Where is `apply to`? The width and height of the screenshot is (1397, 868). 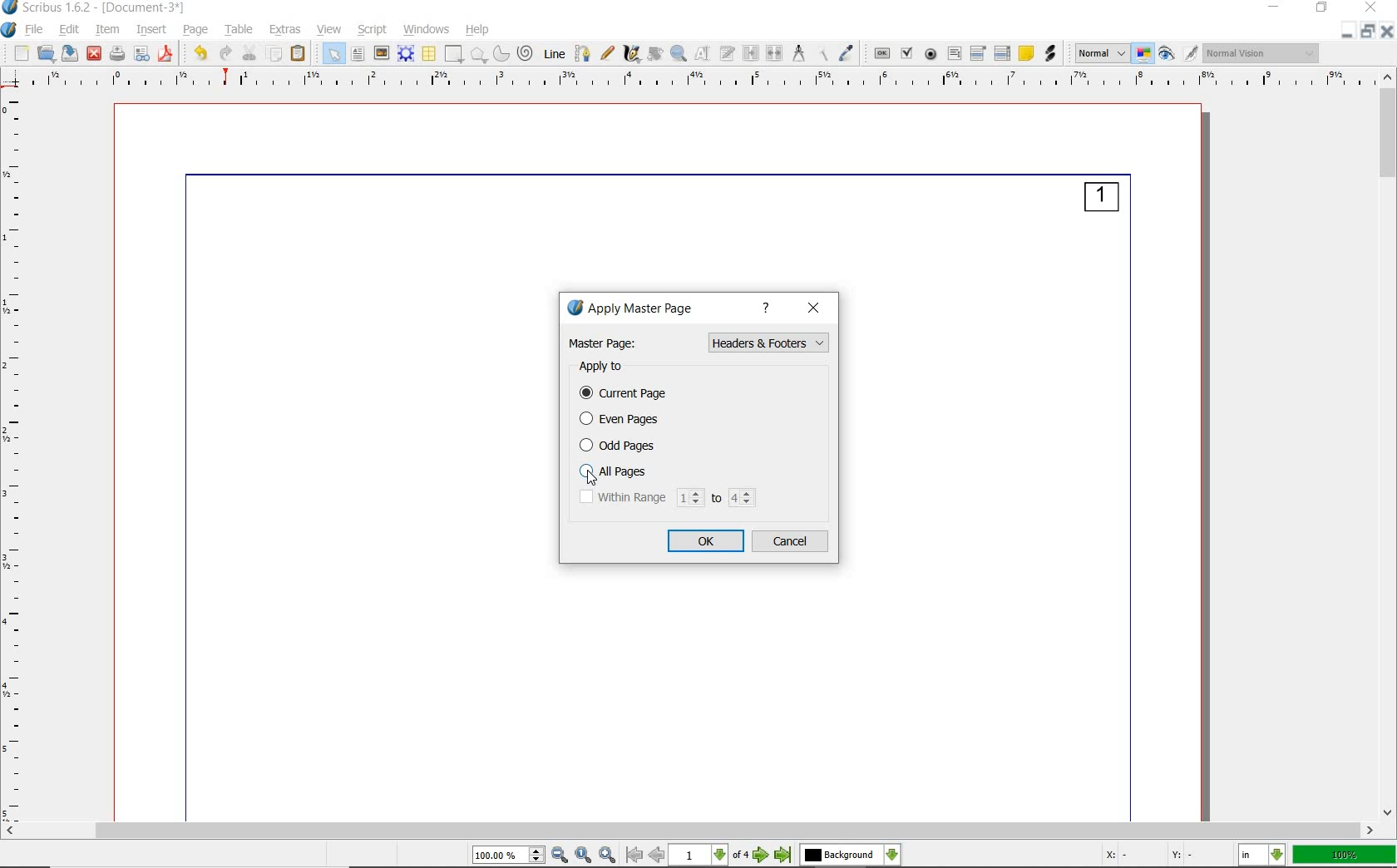 apply to is located at coordinates (605, 367).